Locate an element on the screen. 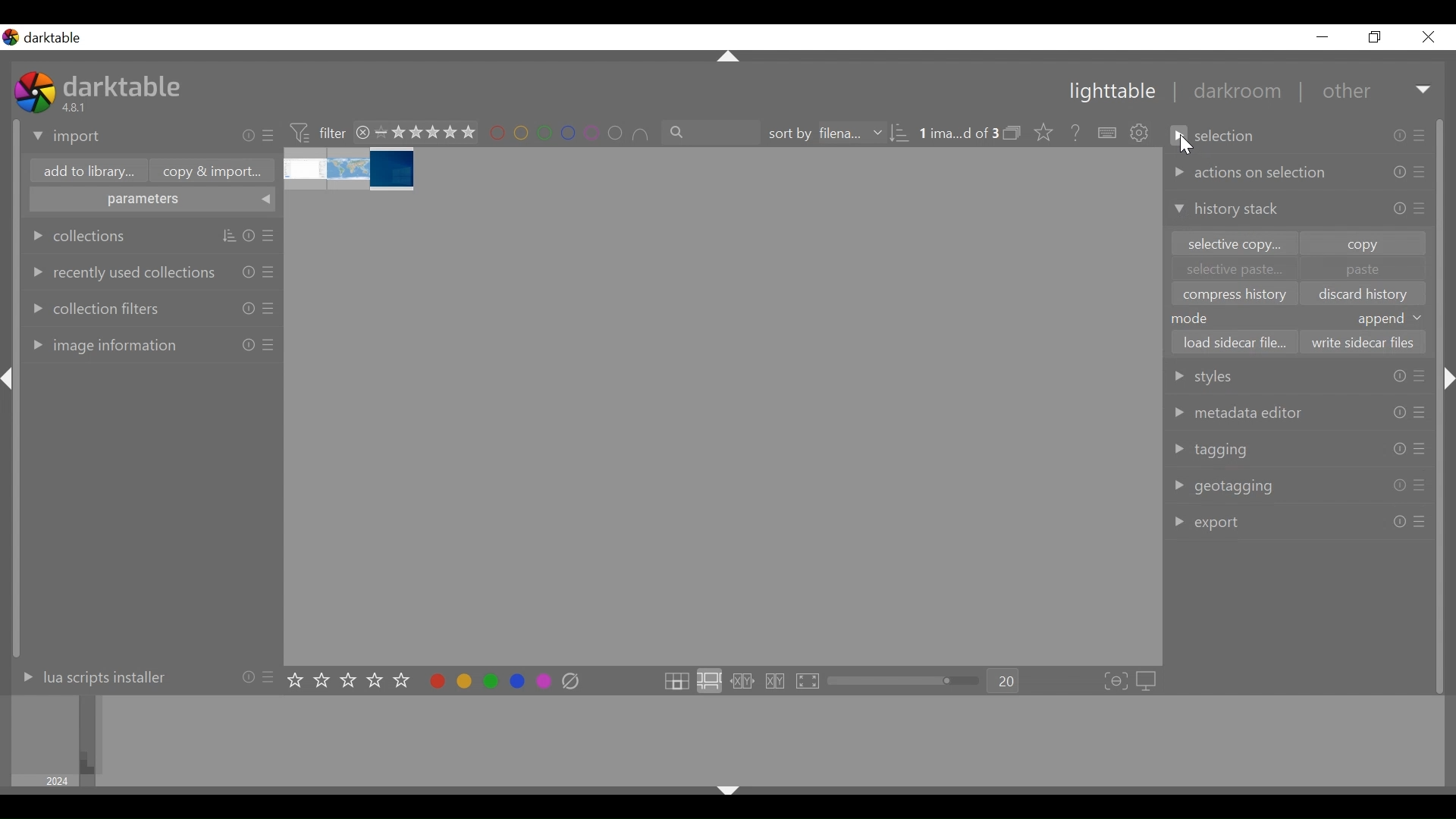 Image resolution: width=1456 pixels, height=819 pixels. sorting is located at coordinates (899, 133).